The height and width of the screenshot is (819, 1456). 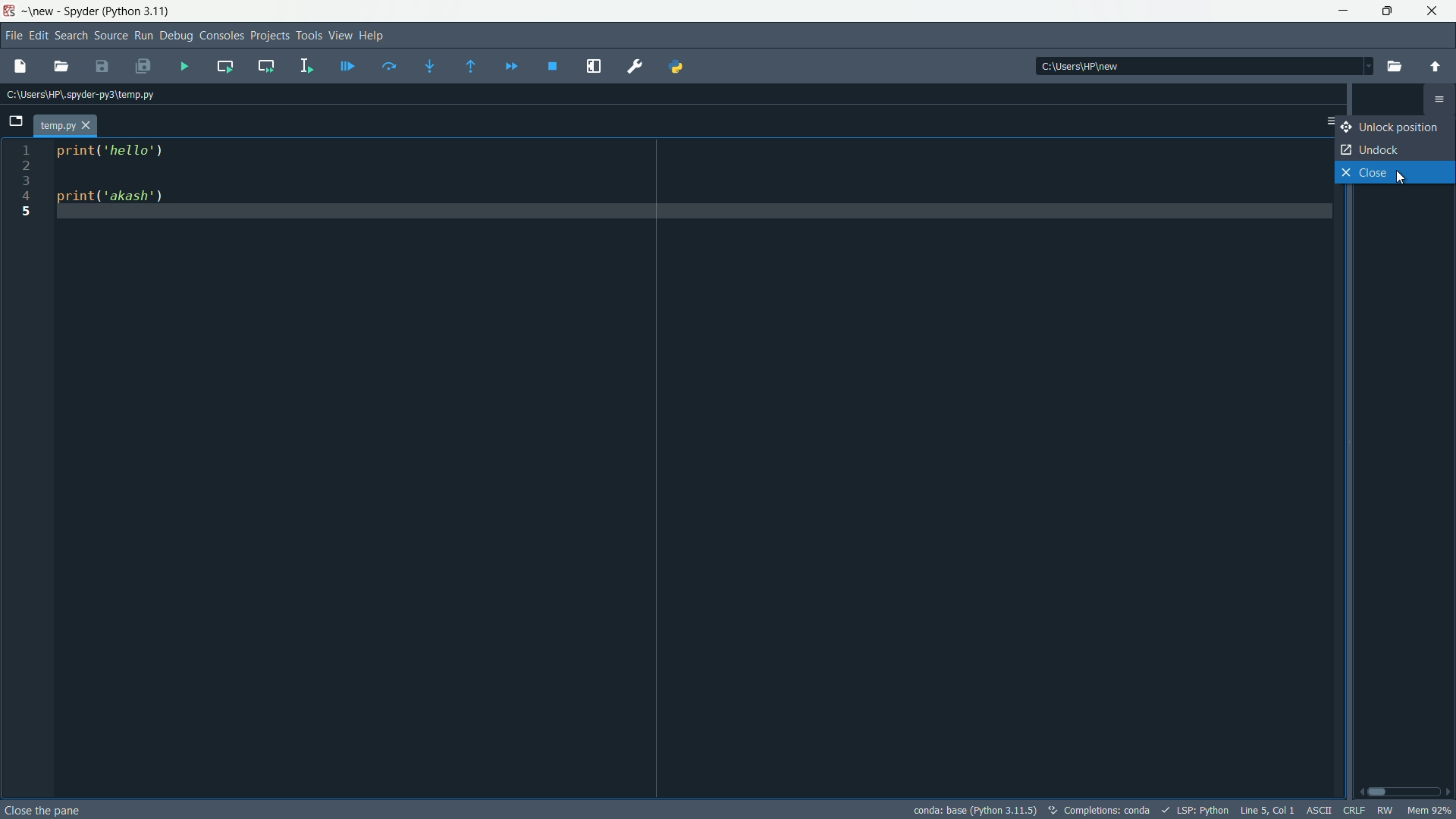 What do you see at coordinates (976, 809) in the screenshot?
I see `interpreter` at bounding box center [976, 809].